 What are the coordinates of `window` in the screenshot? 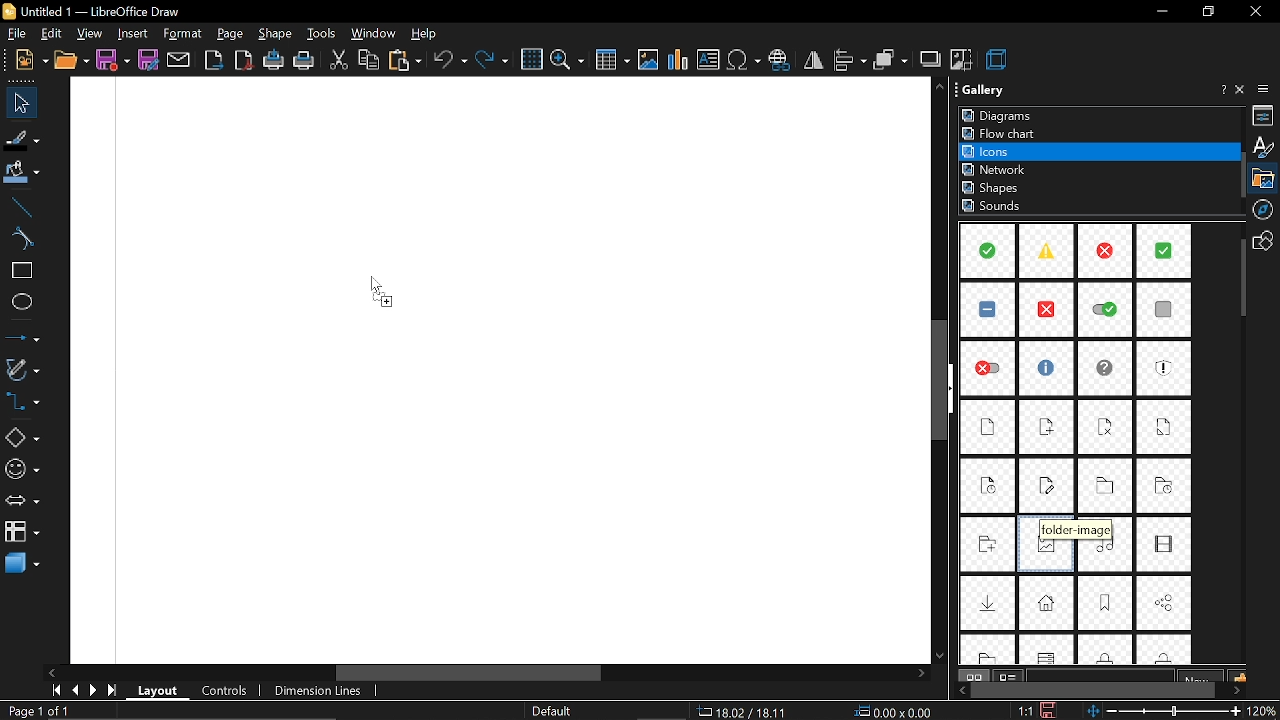 It's located at (372, 34).